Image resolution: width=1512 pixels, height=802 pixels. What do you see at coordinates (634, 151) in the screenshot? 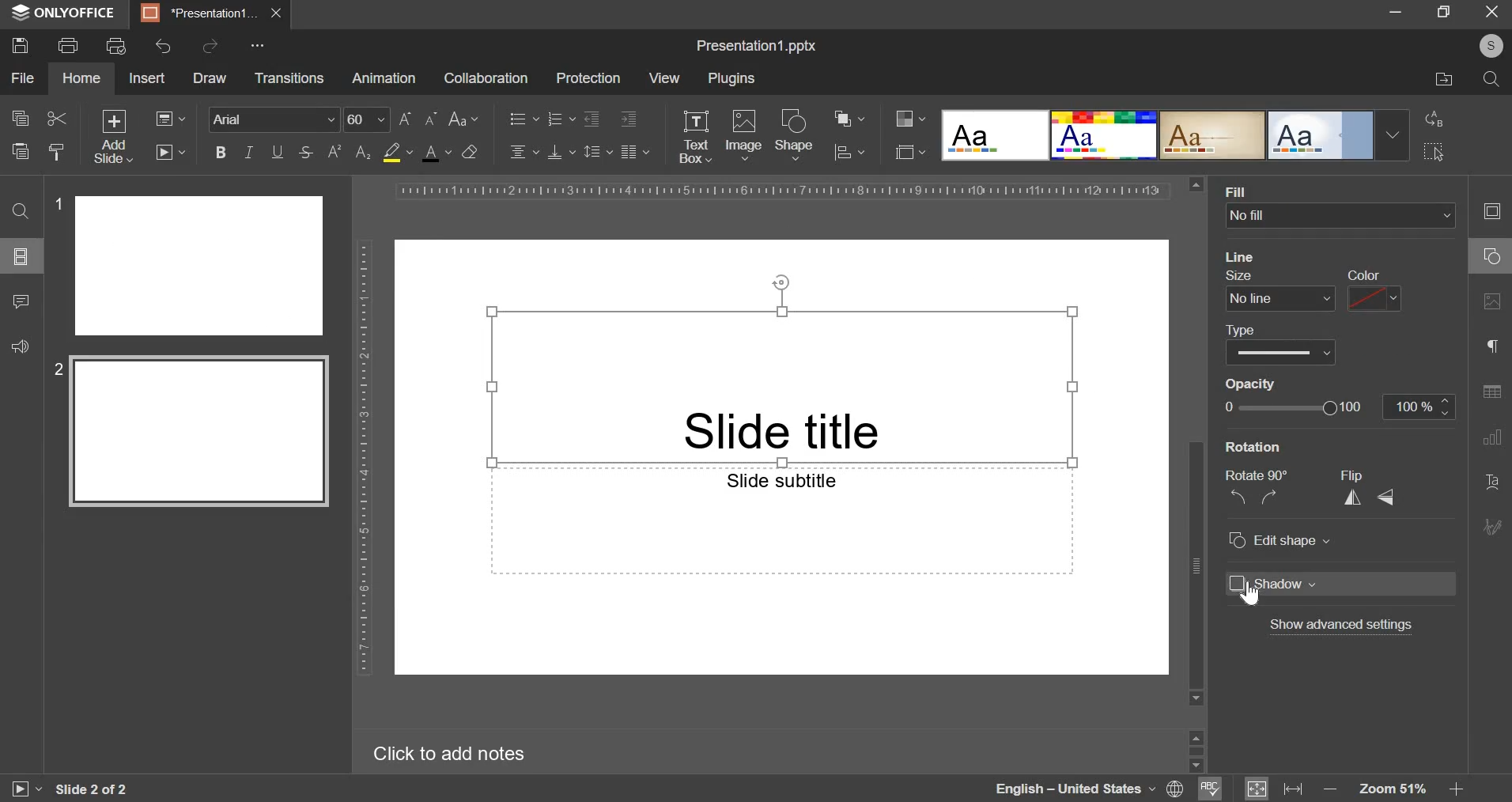
I see `paragraph alignment` at bounding box center [634, 151].